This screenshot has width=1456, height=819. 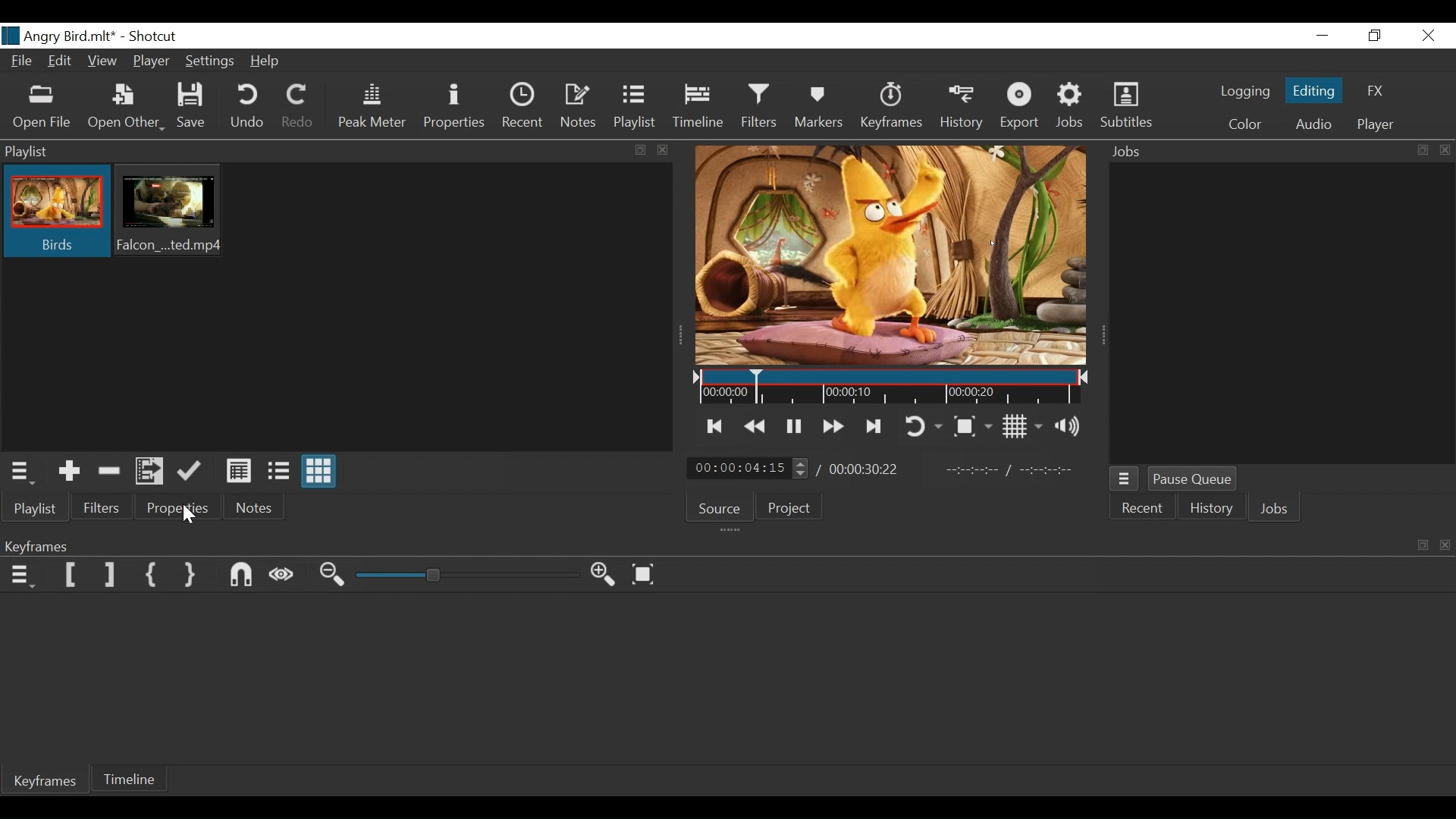 What do you see at coordinates (338, 150) in the screenshot?
I see `Playlist Panel` at bounding box center [338, 150].